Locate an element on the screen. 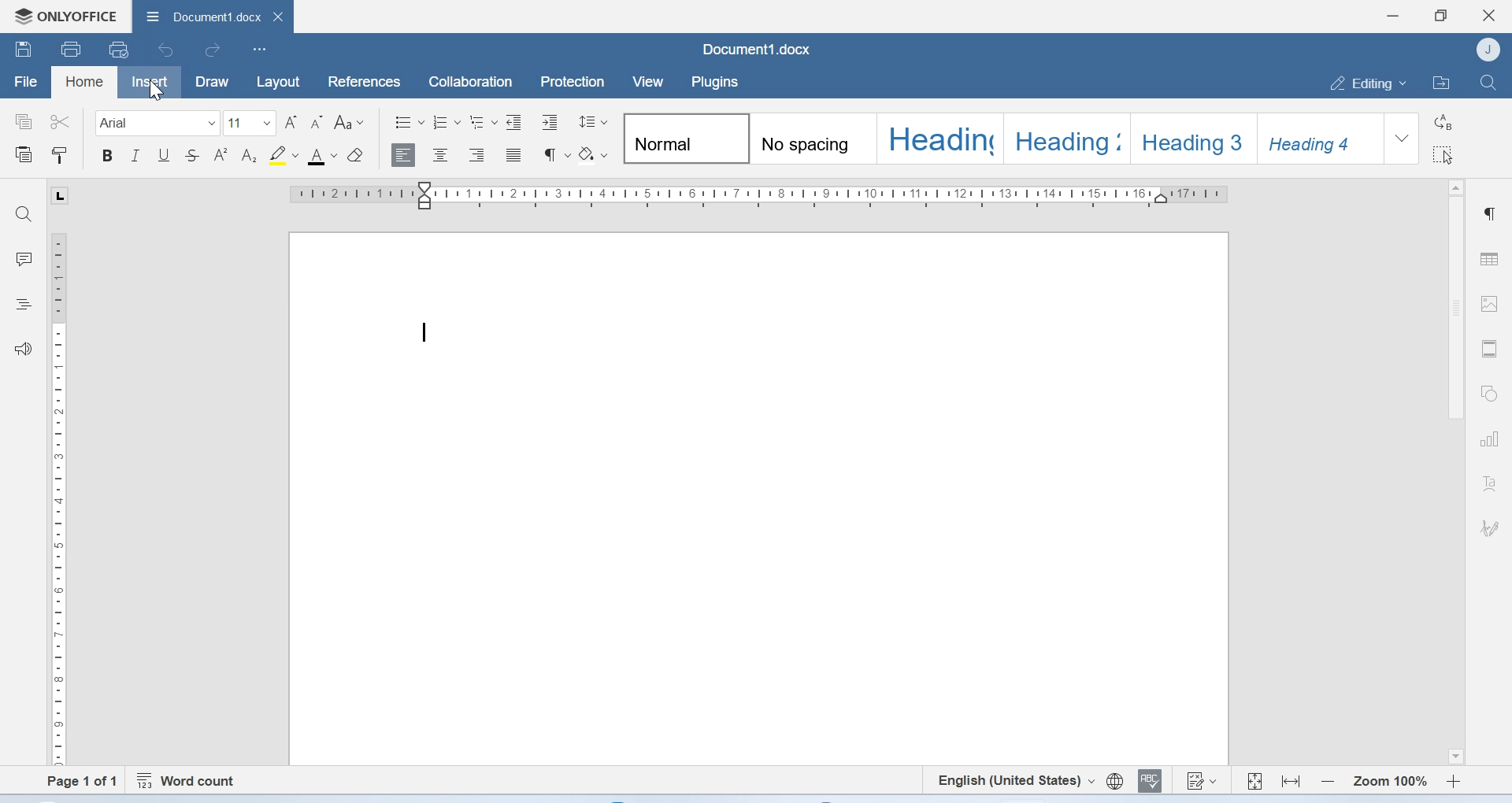 The width and height of the screenshot is (1512, 803). No spacing is located at coordinates (808, 139).